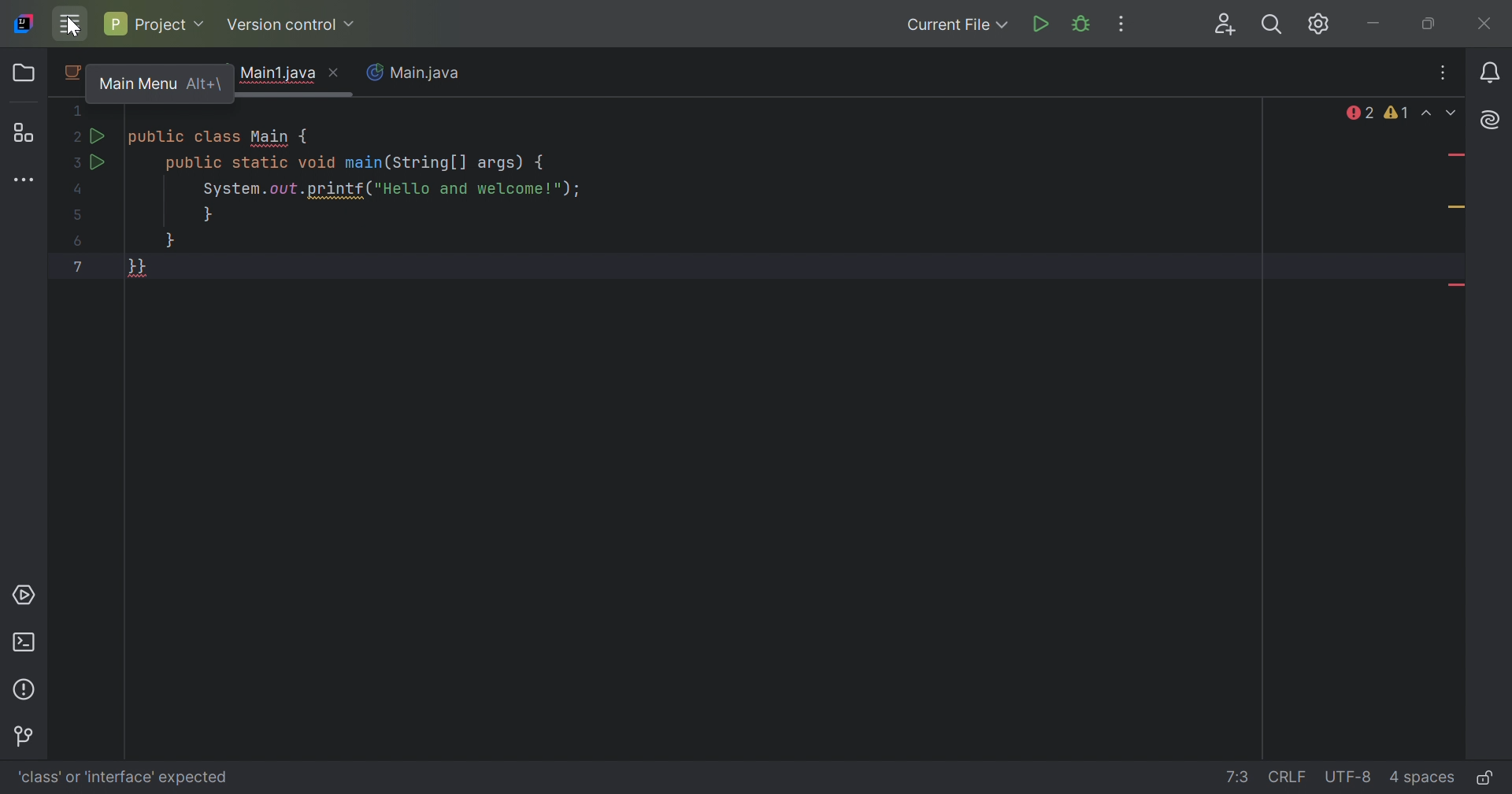  Describe the element at coordinates (1428, 113) in the screenshot. I see `Previous Highlighted Error` at that location.